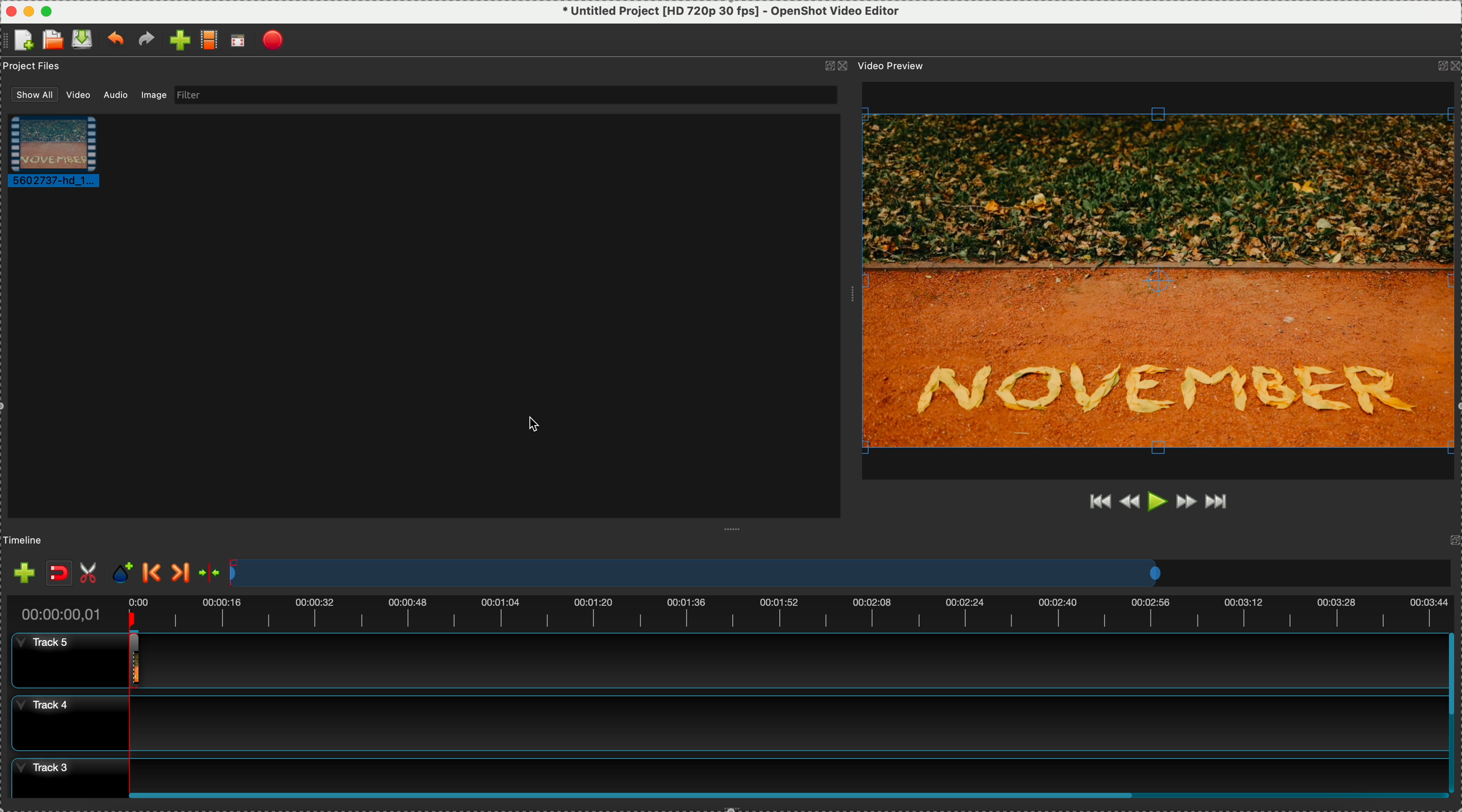  What do you see at coordinates (736, 529) in the screenshot?
I see `Window Expanding` at bounding box center [736, 529].